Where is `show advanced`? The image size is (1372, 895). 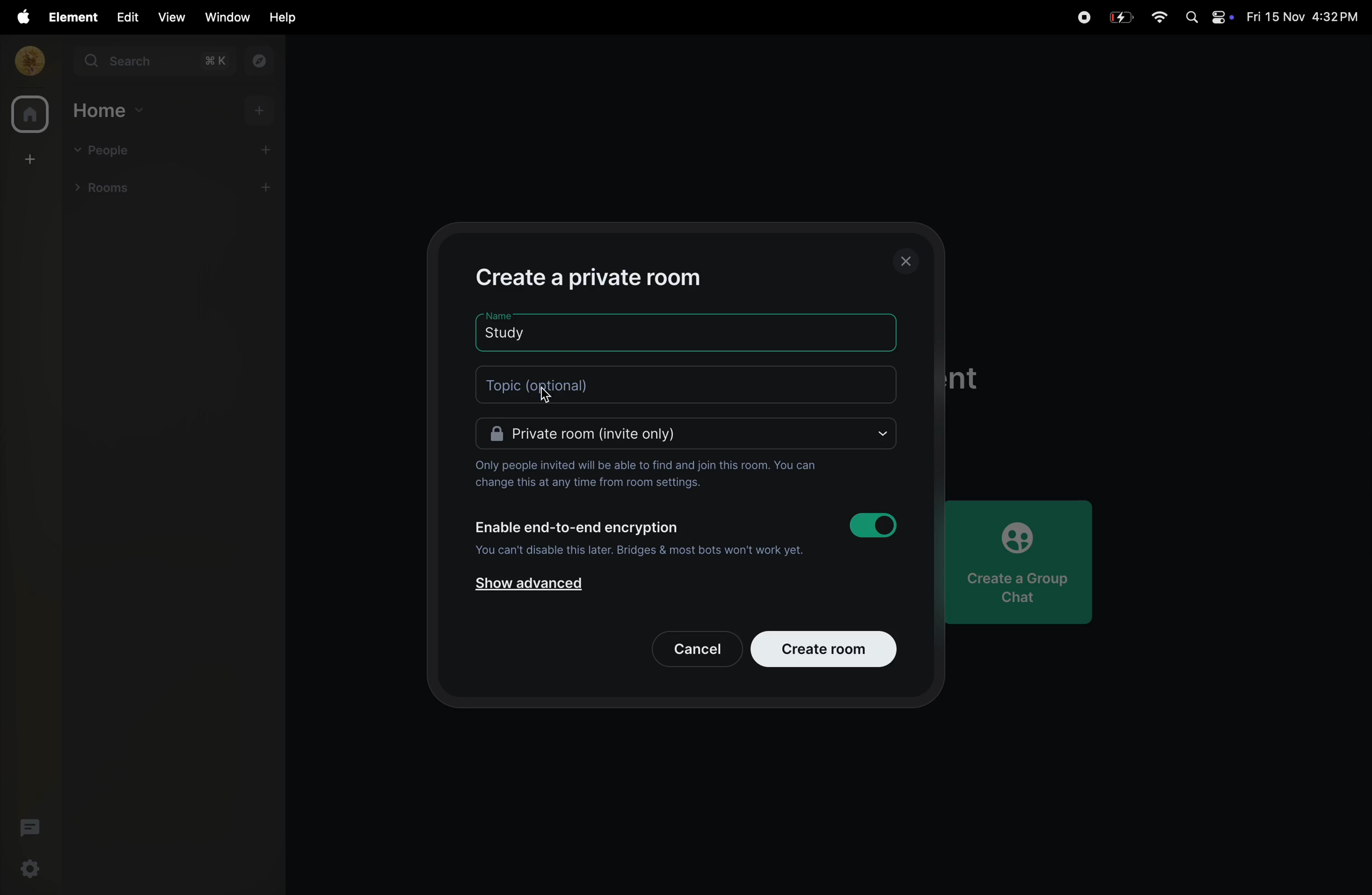 show advanced is located at coordinates (531, 587).